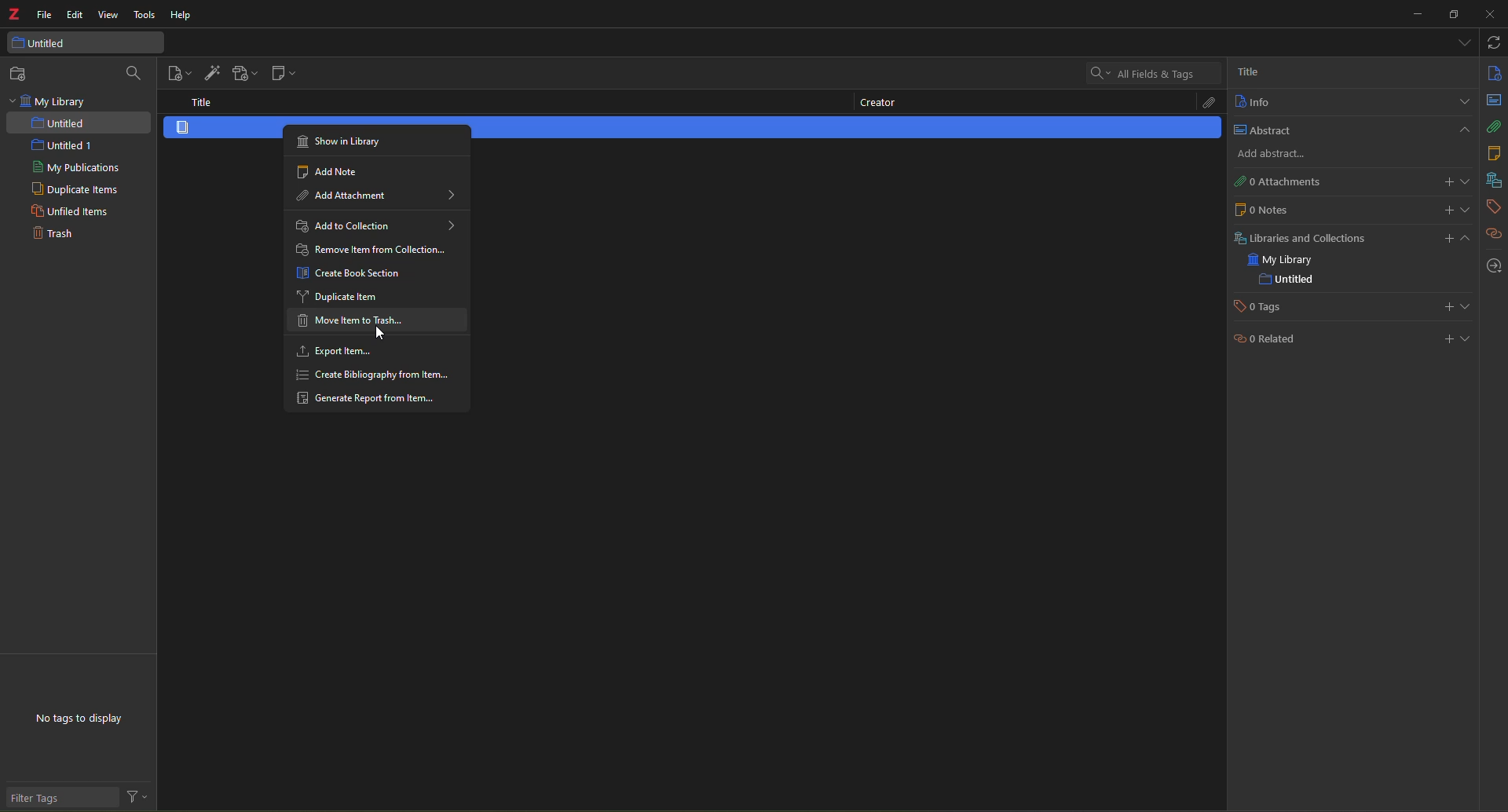  What do you see at coordinates (75, 14) in the screenshot?
I see `edit` at bounding box center [75, 14].